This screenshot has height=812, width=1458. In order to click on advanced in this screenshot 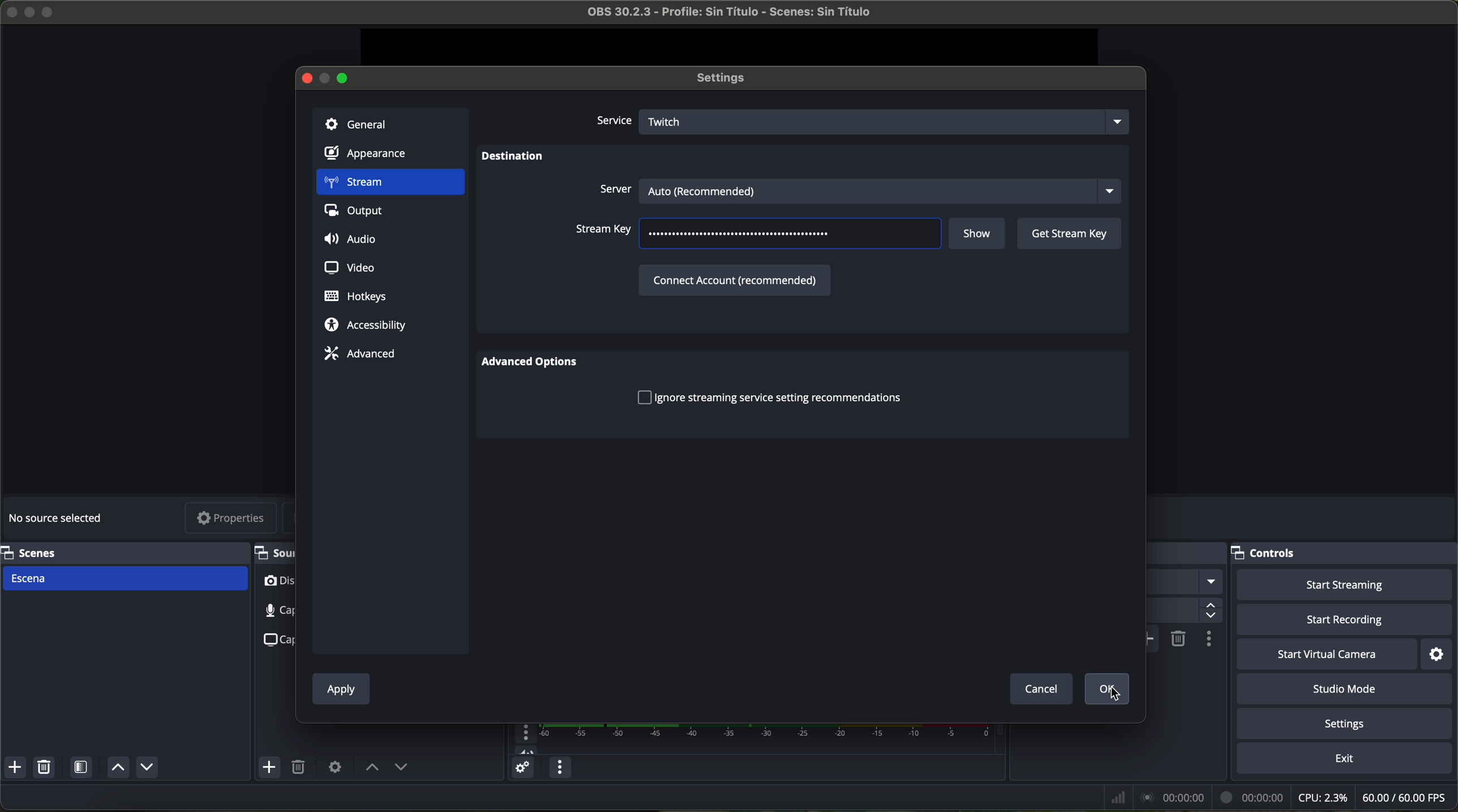, I will do `click(359, 353)`.